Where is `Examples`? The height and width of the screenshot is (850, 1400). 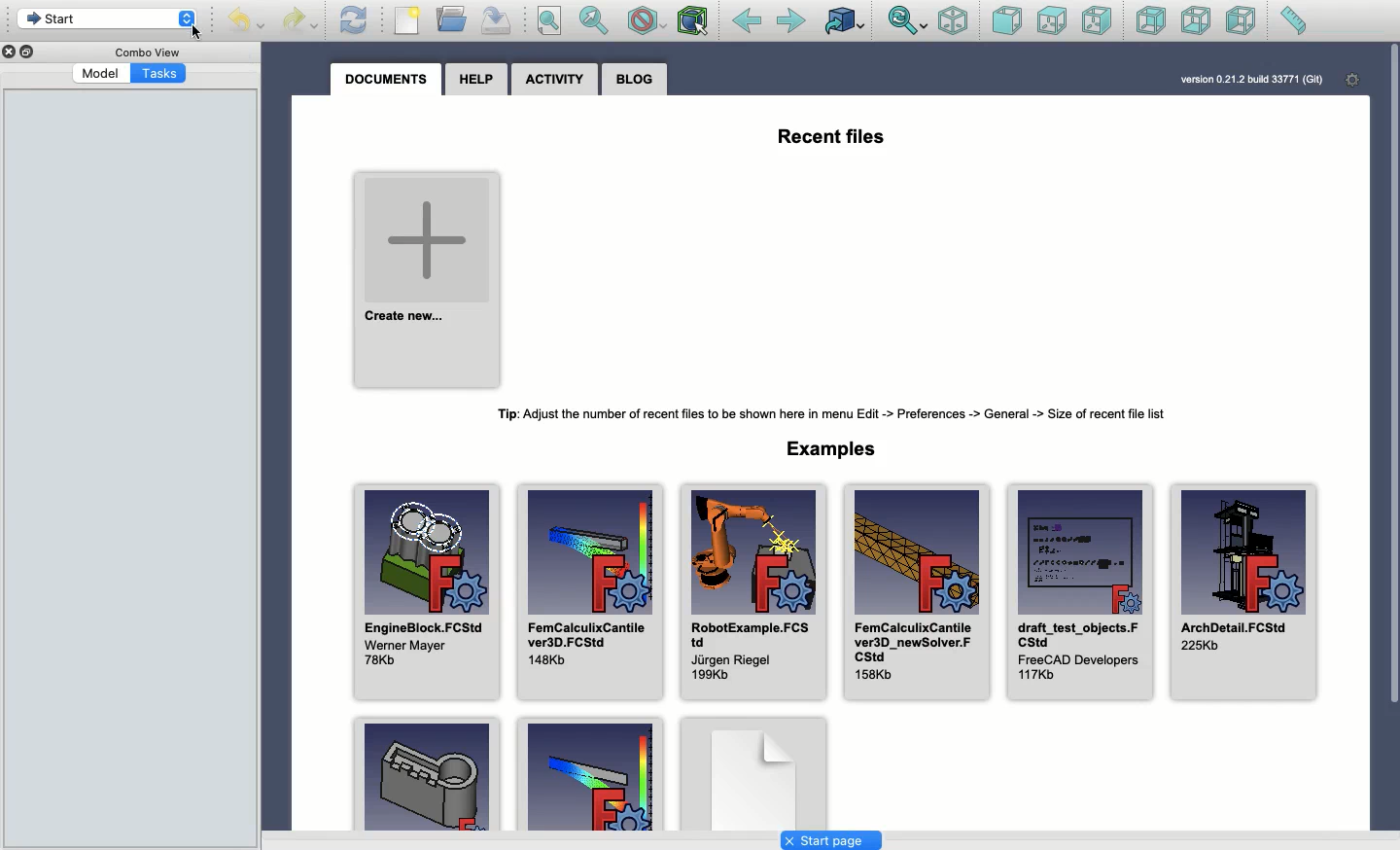
Examples is located at coordinates (838, 450).